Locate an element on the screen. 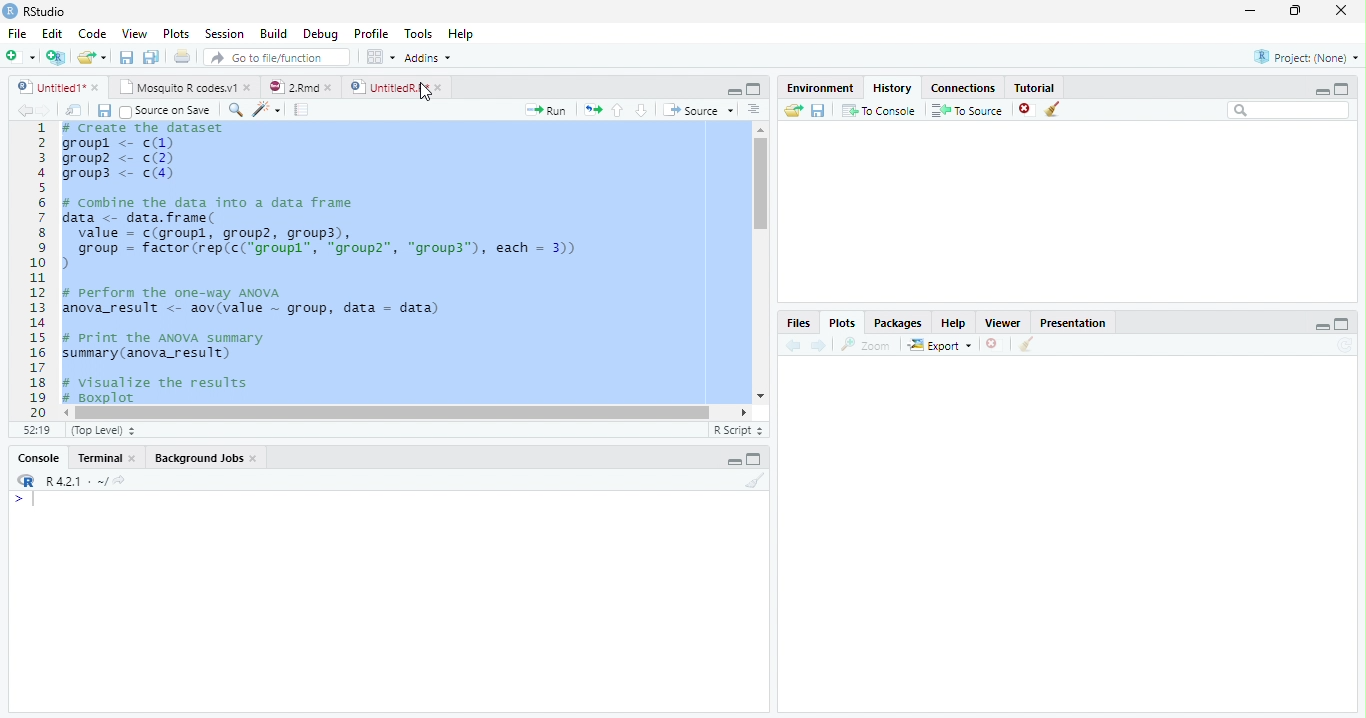 The width and height of the screenshot is (1366, 718). Files is located at coordinates (797, 323).